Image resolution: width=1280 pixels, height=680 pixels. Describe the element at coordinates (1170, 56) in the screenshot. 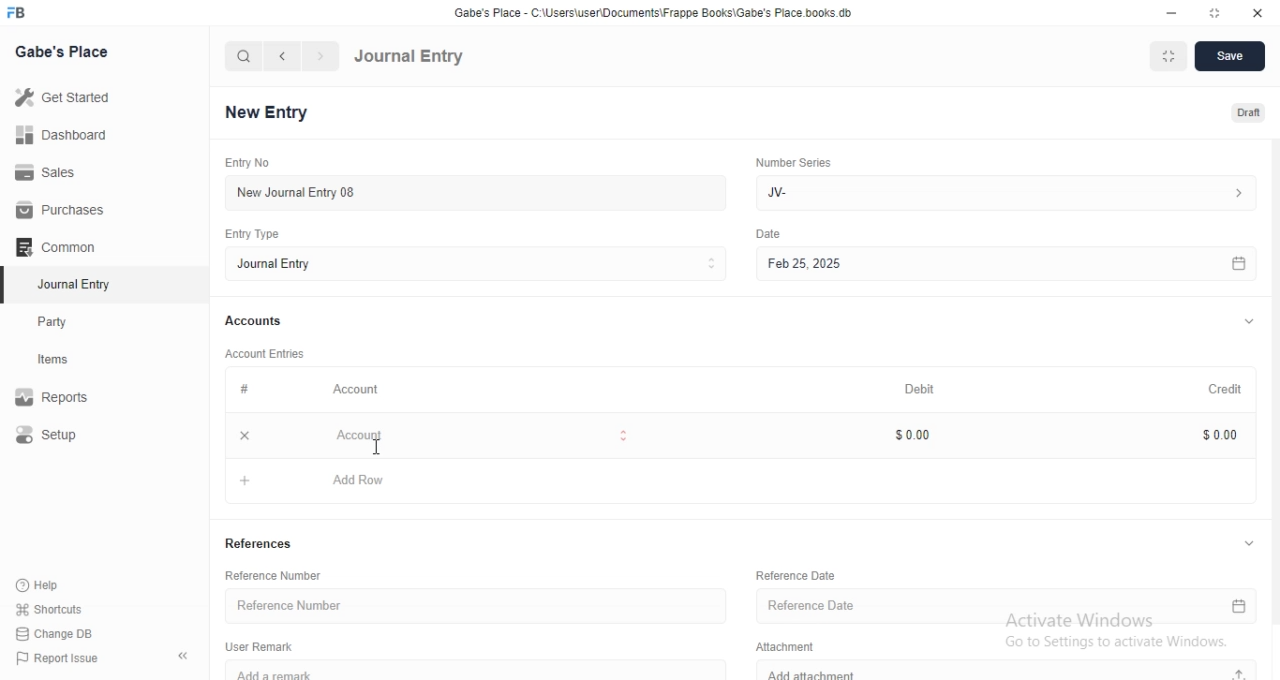

I see `Fit to Window` at that location.